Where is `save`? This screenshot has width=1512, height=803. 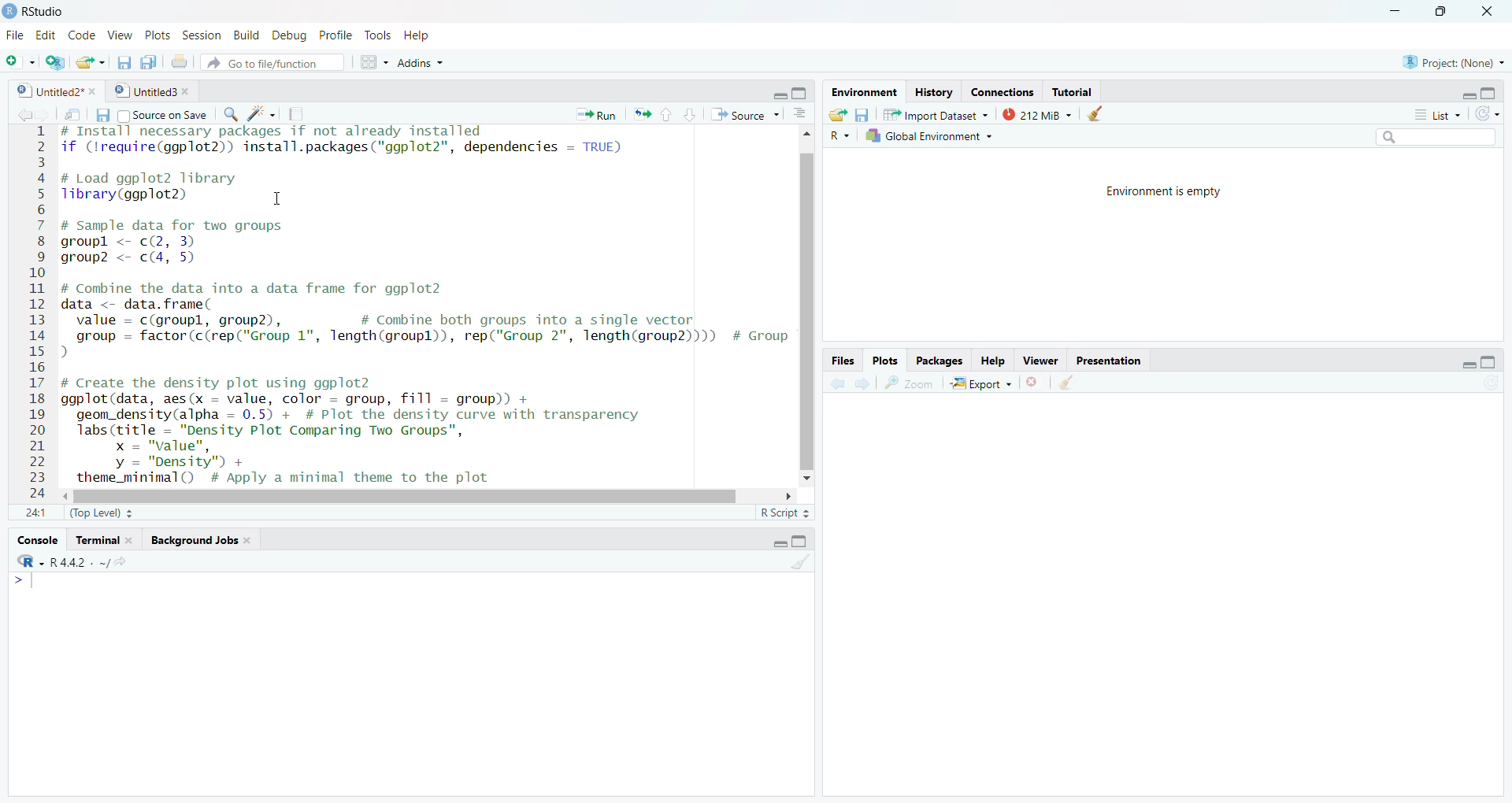
save is located at coordinates (864, 114).